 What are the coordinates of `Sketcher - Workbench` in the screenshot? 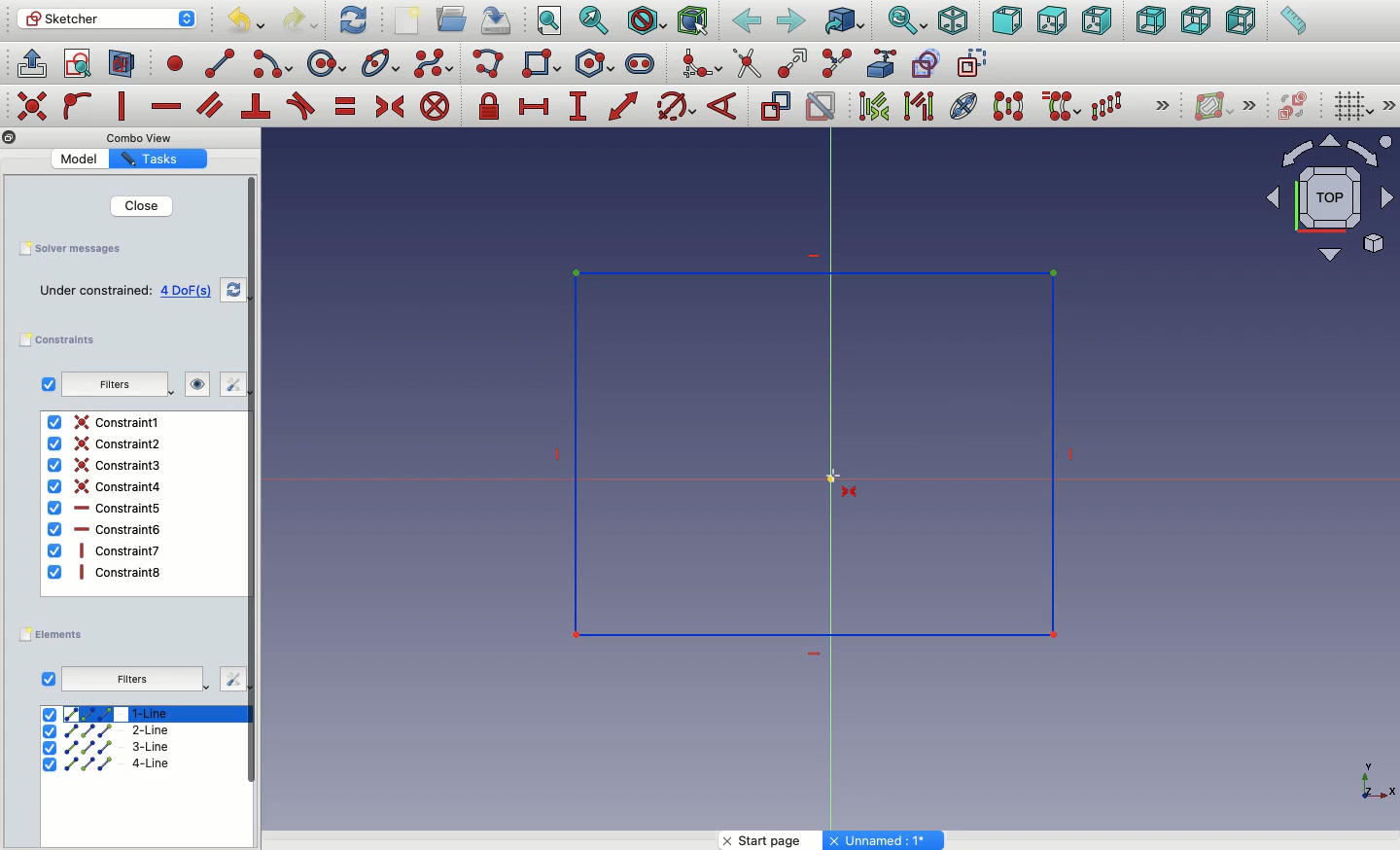 It's located at (106, 18).